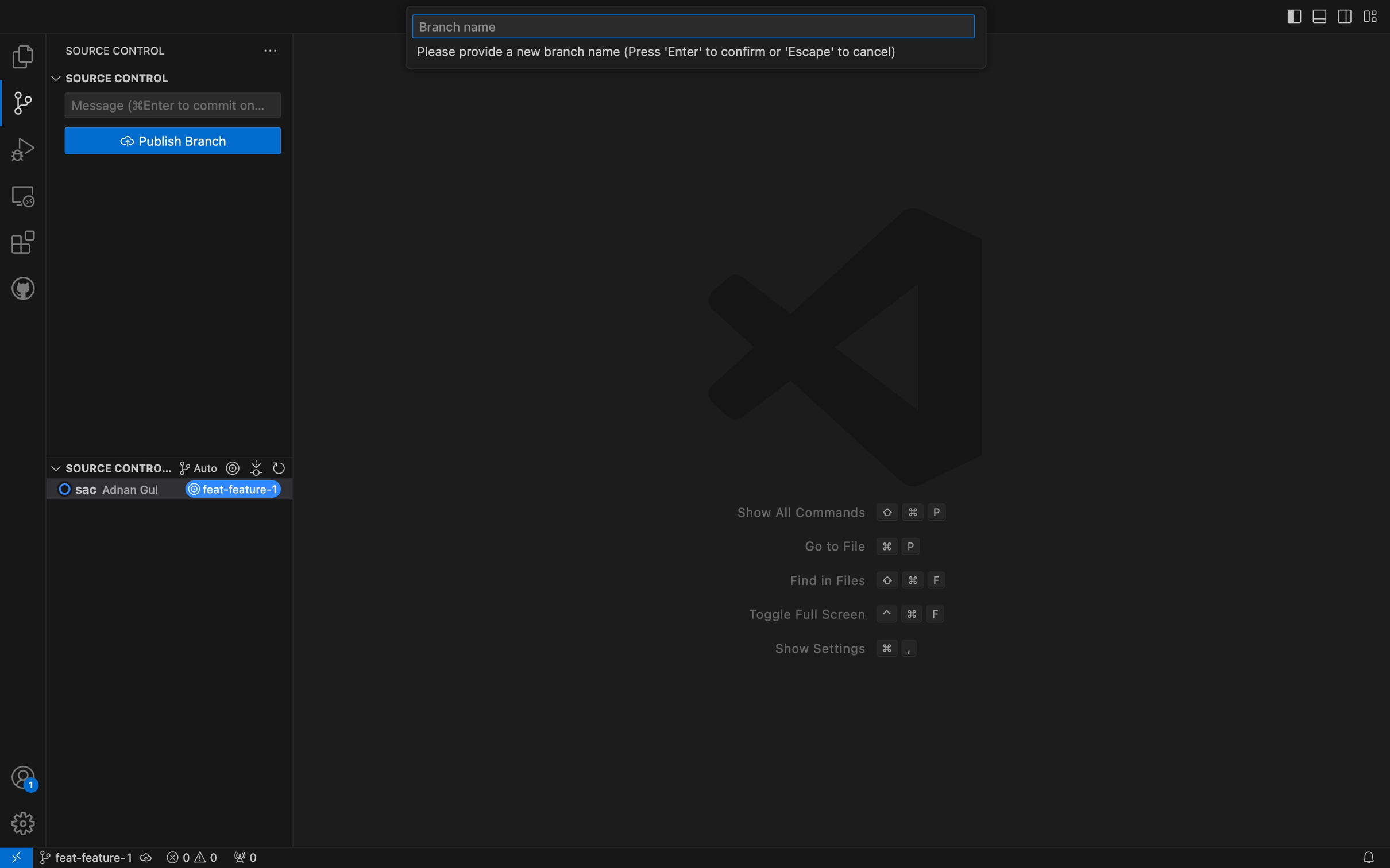 The width and height of the screenshot is (1390, 868). What do you see at coordinates (913, 580) in the screenshot?
I see `Command` at bounding box center [913, 580].